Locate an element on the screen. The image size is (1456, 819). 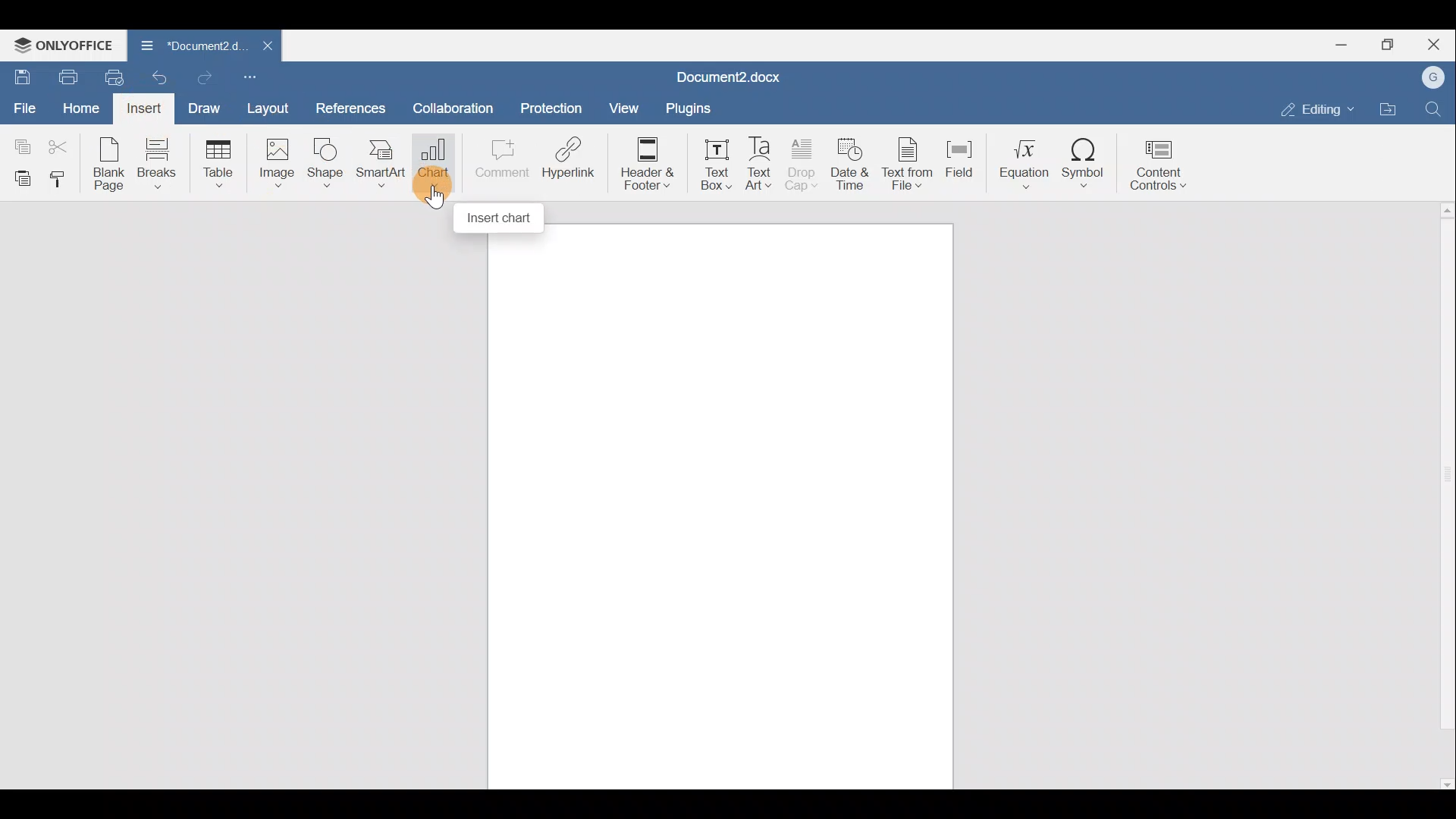
Equation is located at coordinates (1023, 162).